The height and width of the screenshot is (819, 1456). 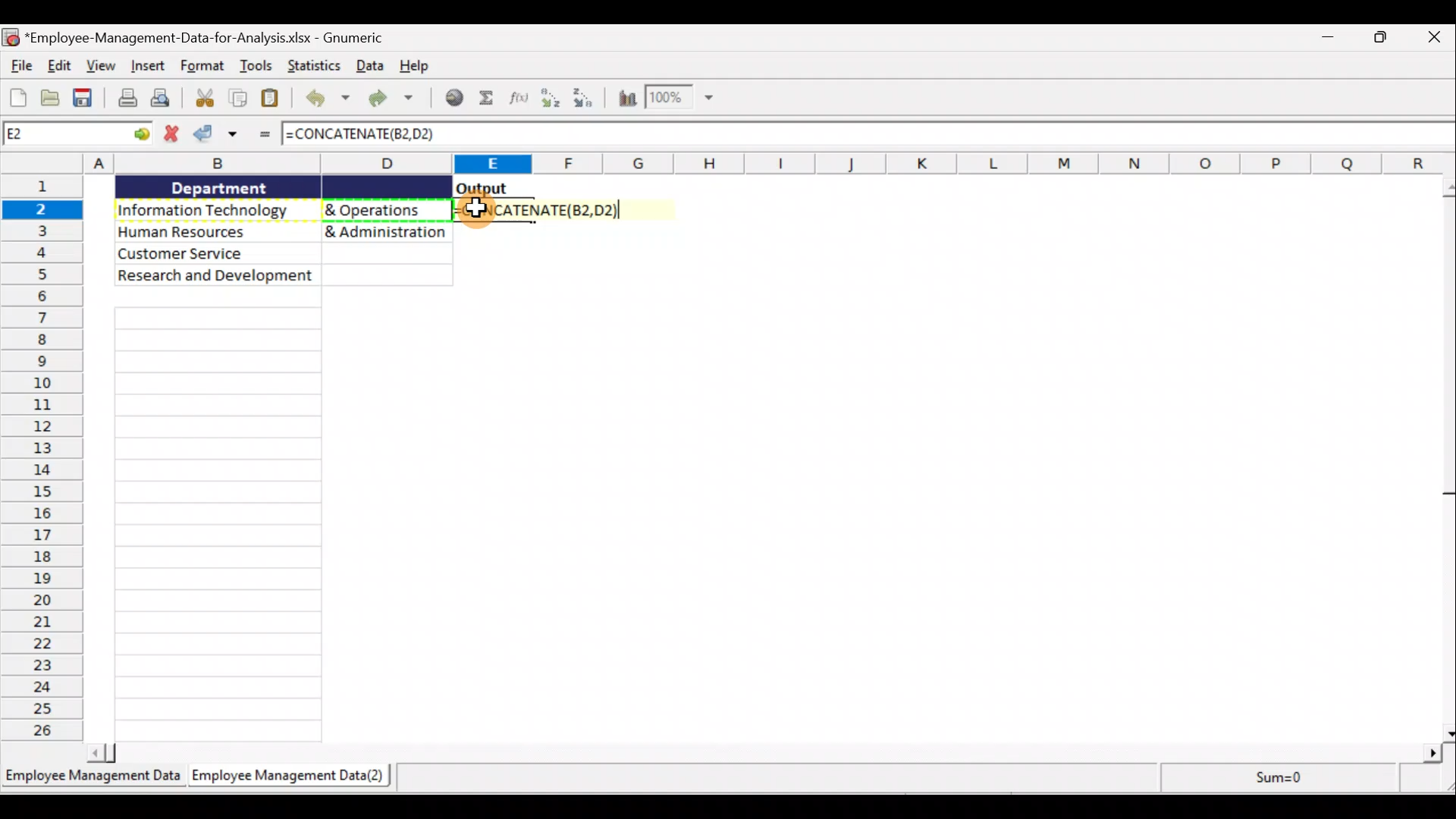 I want to click on Accept change, so click(x=217, y=136).